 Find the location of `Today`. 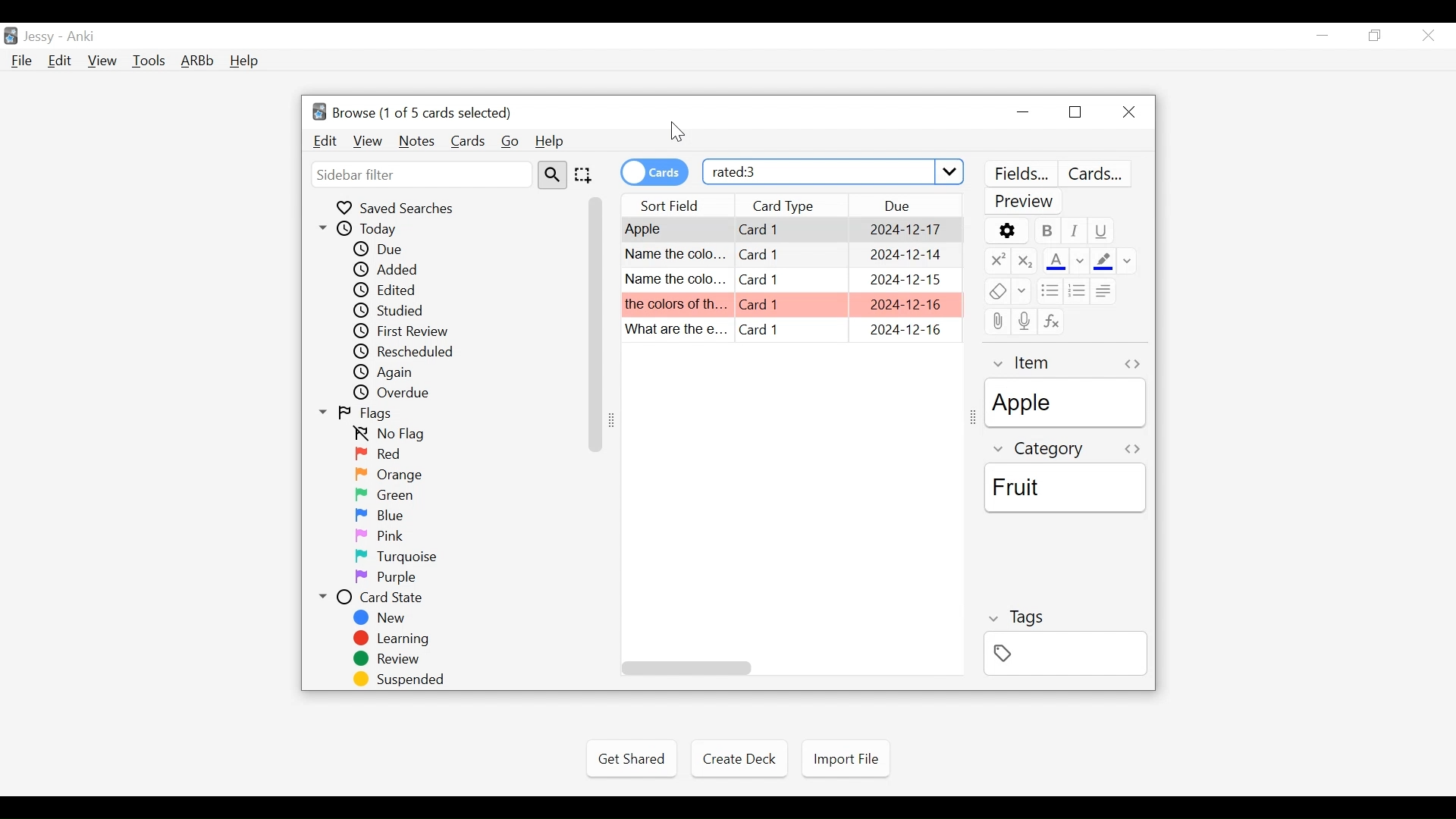

Today is located at coordinates (372, 229).